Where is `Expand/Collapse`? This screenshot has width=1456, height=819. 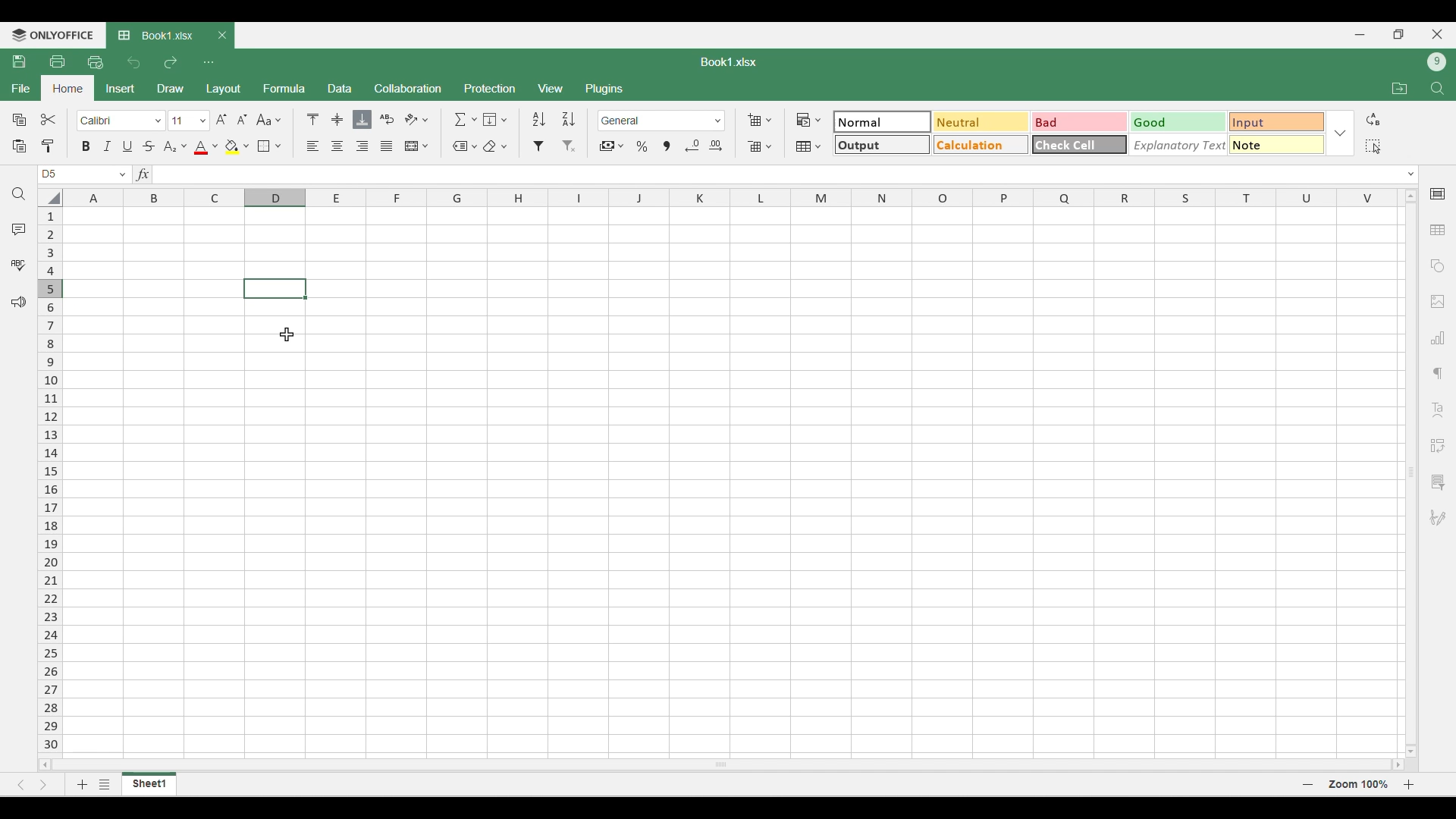
Expand/Collapse is located at coordinates (1340, 133).